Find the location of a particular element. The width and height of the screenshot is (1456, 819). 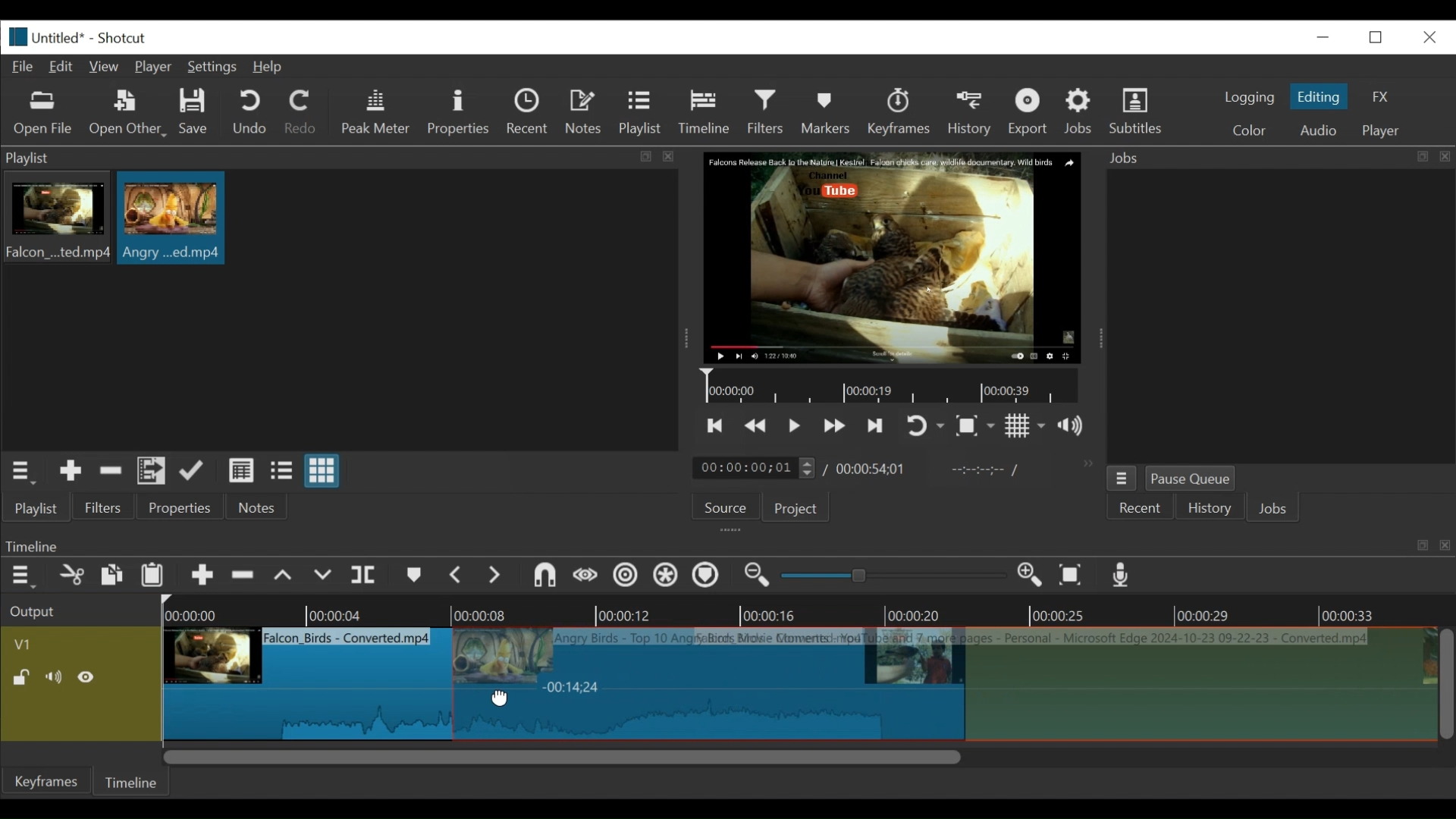

Settings is located at coordinates (215, 69).